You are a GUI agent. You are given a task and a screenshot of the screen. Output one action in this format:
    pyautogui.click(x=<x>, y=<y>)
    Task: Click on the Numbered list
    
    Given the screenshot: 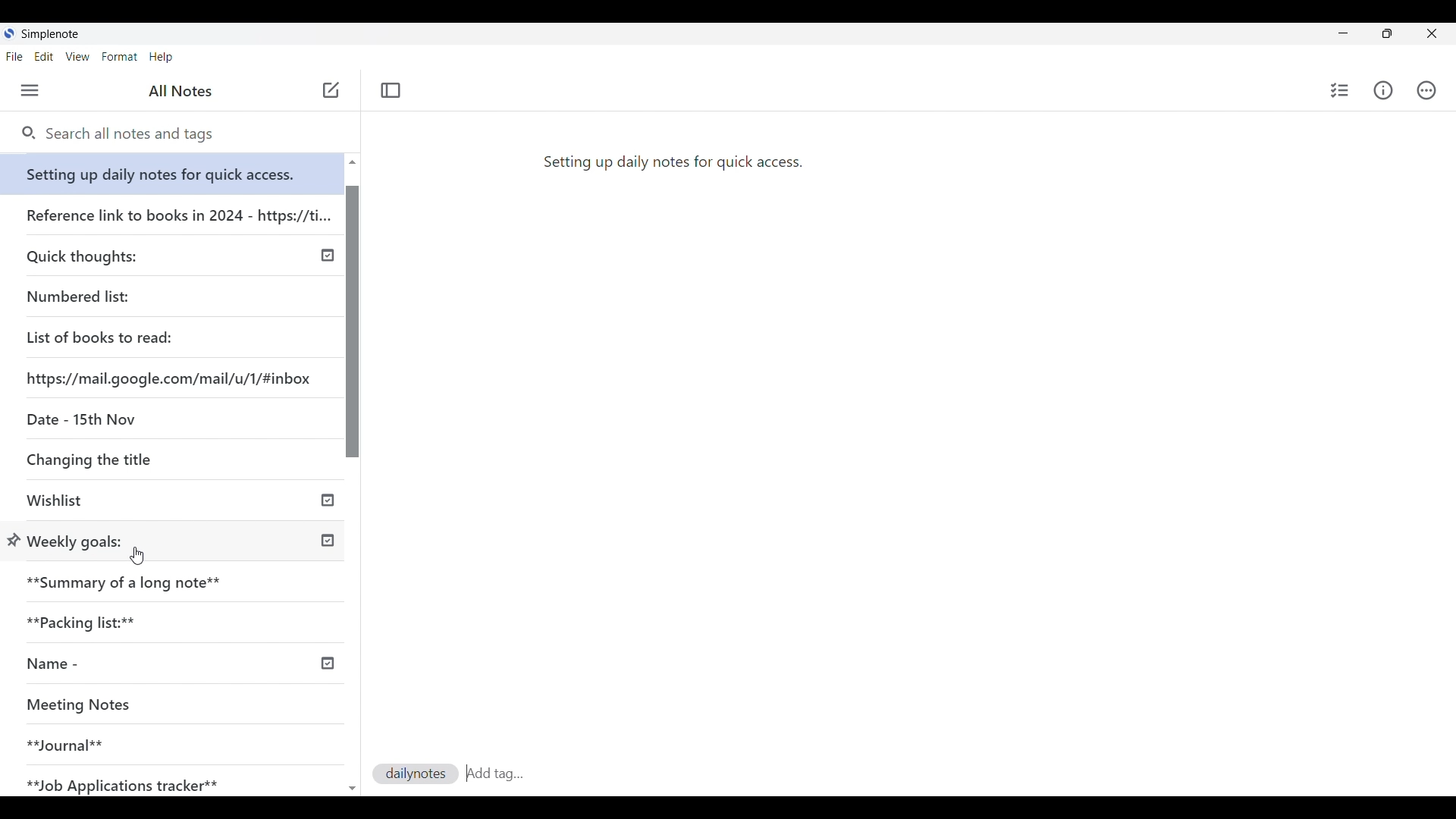 What is the action you would take?
    pyautogui.click(x=121, y=293)
    